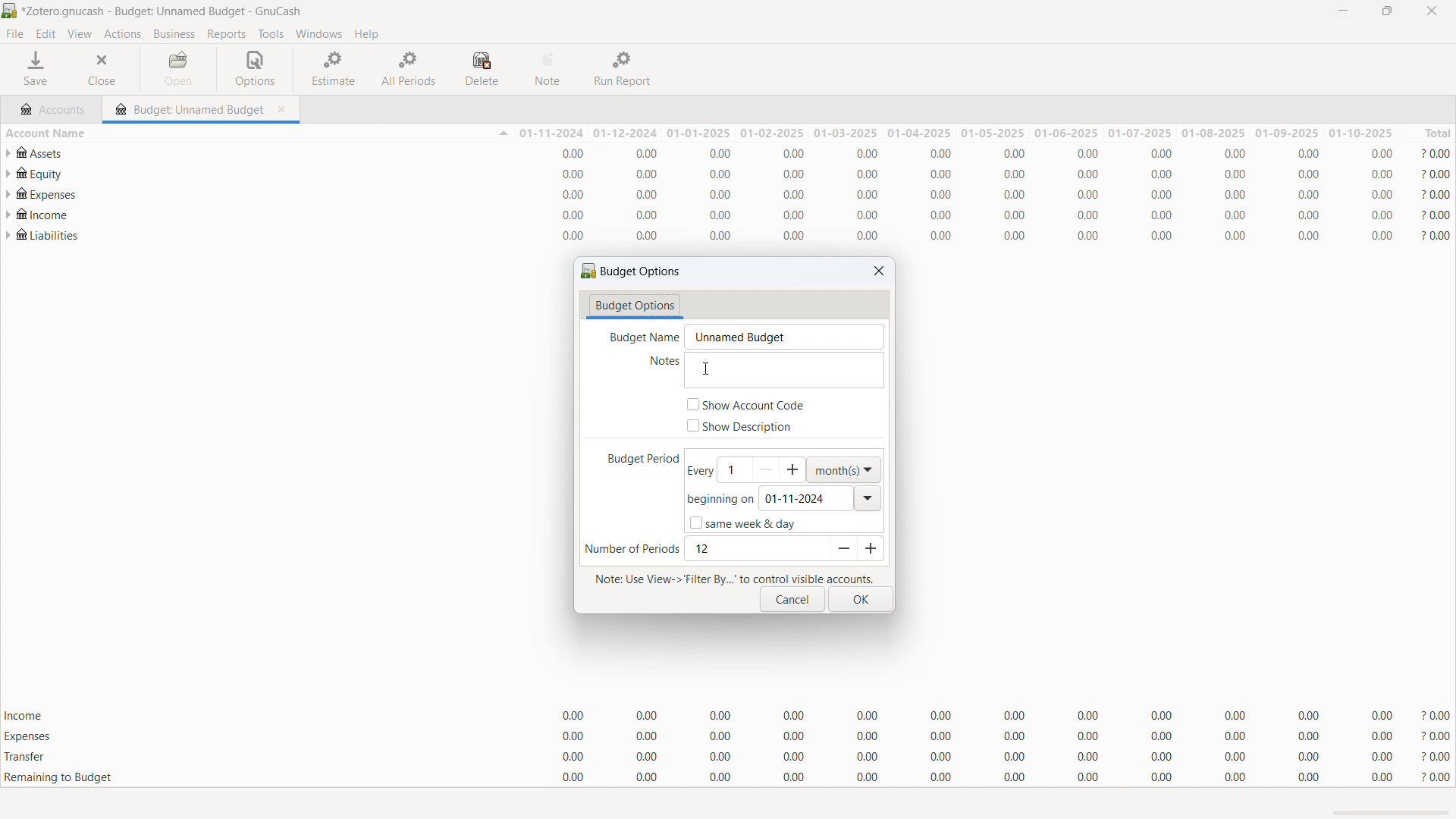 This screenshot has height=819, width=1456. What do you see at coordinates (8, 153) in the screenshot?
I see `expand subaccounts` at bounding box center [8, 153].